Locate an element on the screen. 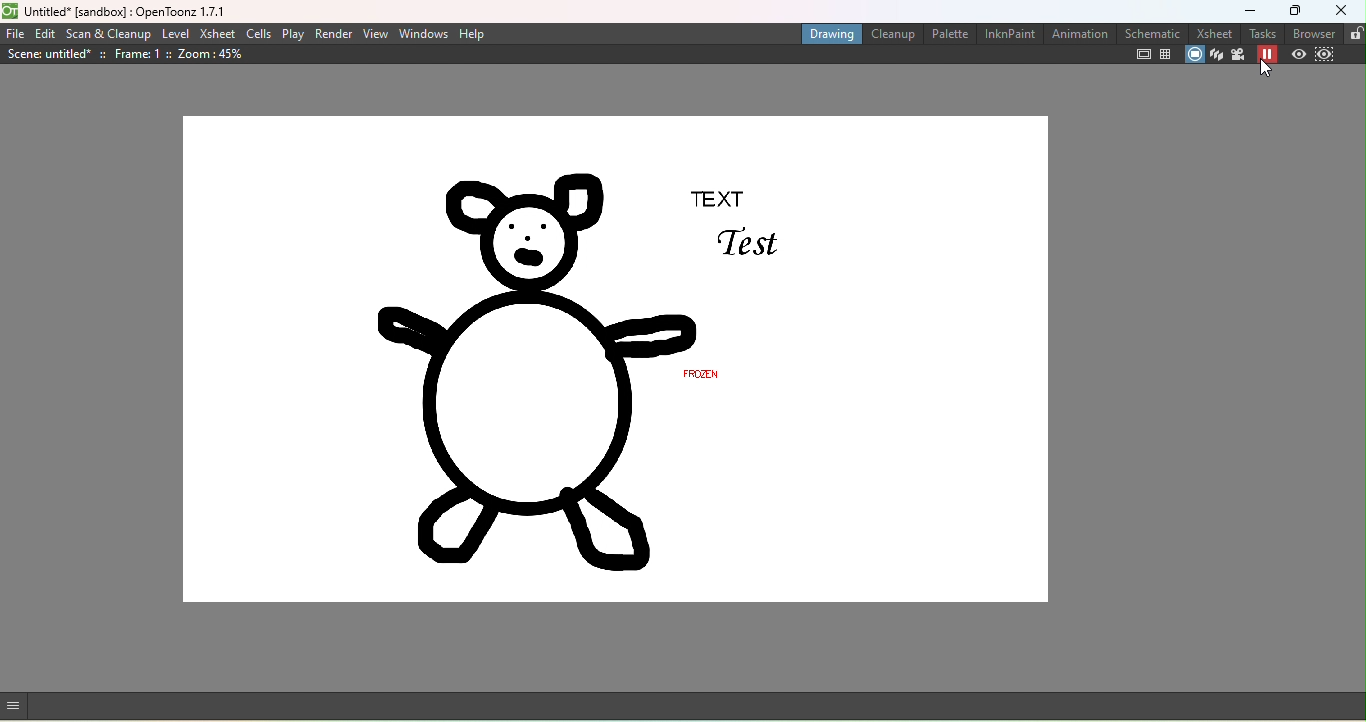  Canvas is located at coordinates (612, 360).